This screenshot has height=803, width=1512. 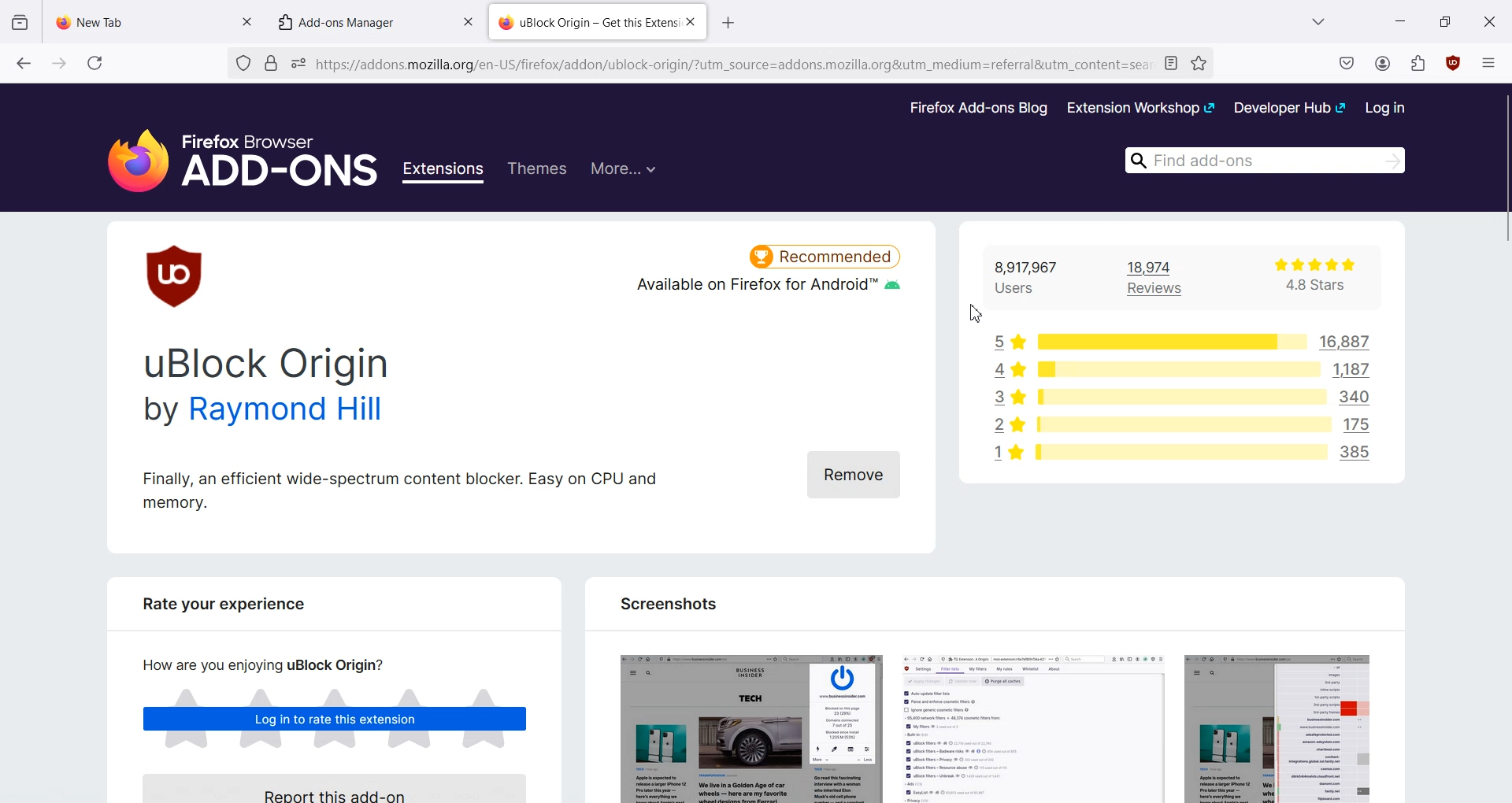 What do you see at coordinates (1304, 278) in the screenshot?
I see `4.8 Stars rating` at bounding box center [1304, 278].